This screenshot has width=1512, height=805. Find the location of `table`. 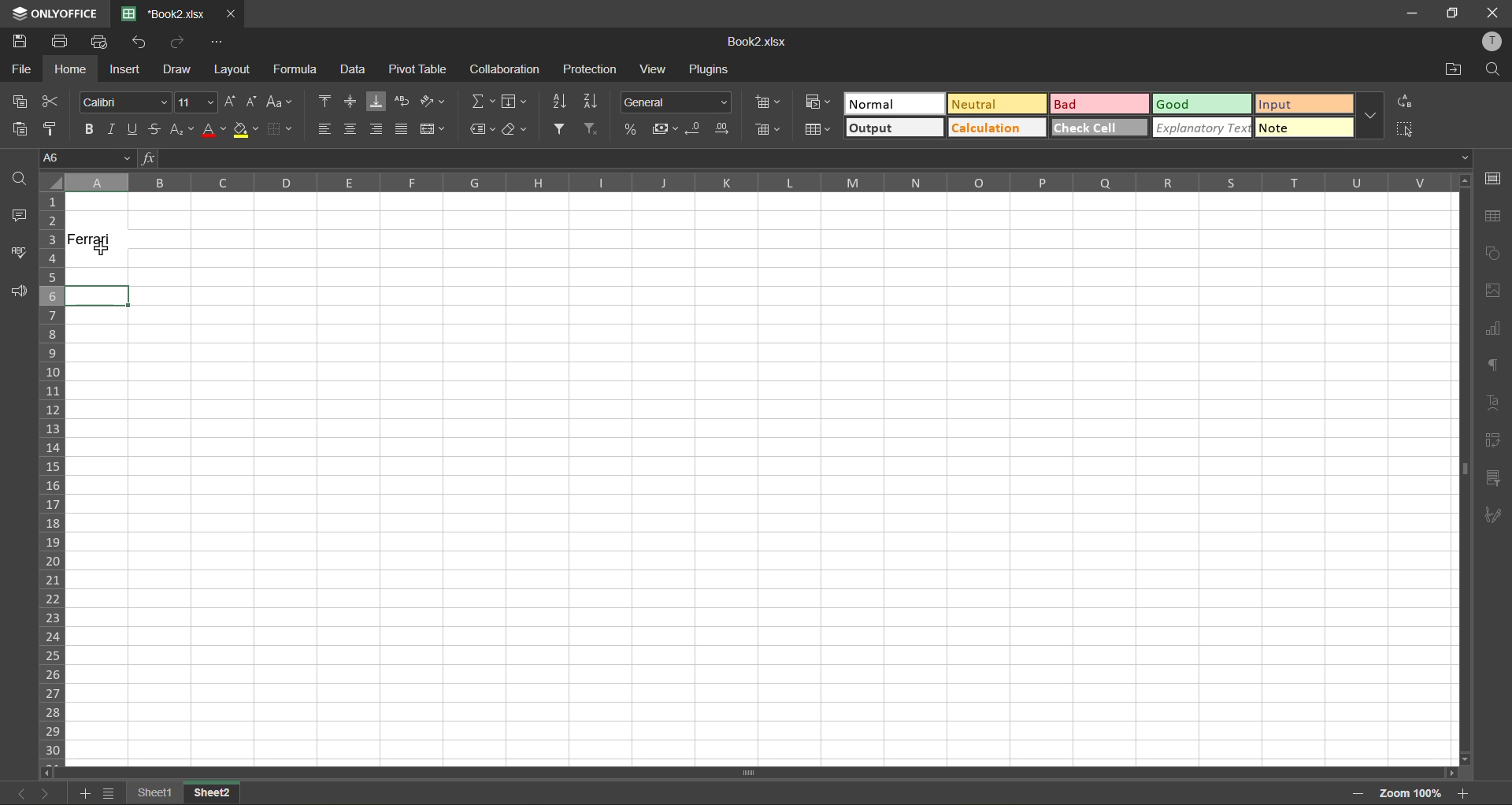

table is located at coordinates (1492, 216).